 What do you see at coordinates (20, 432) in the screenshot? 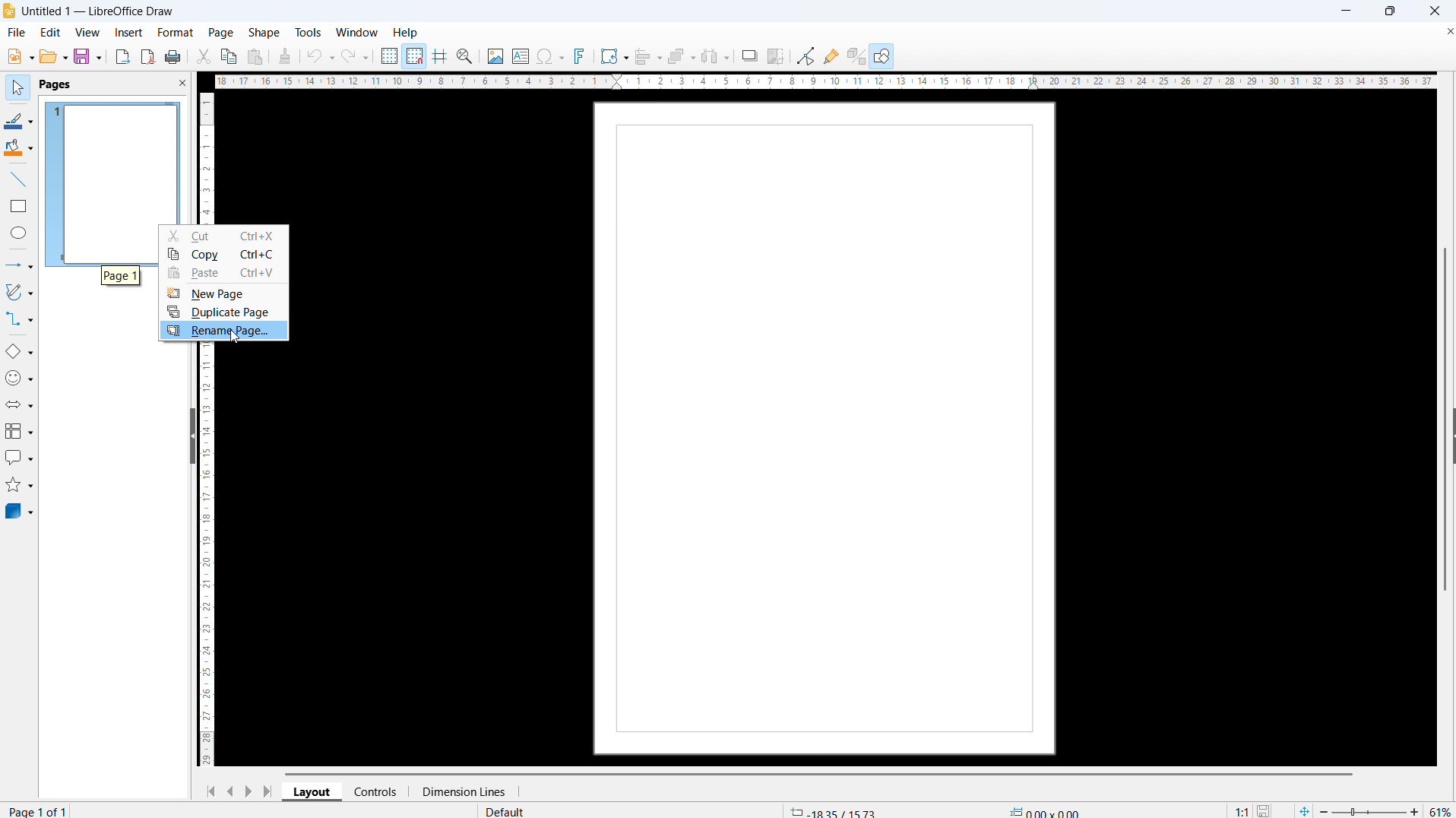
I see `flowchart` at bounding box center [20, 432].